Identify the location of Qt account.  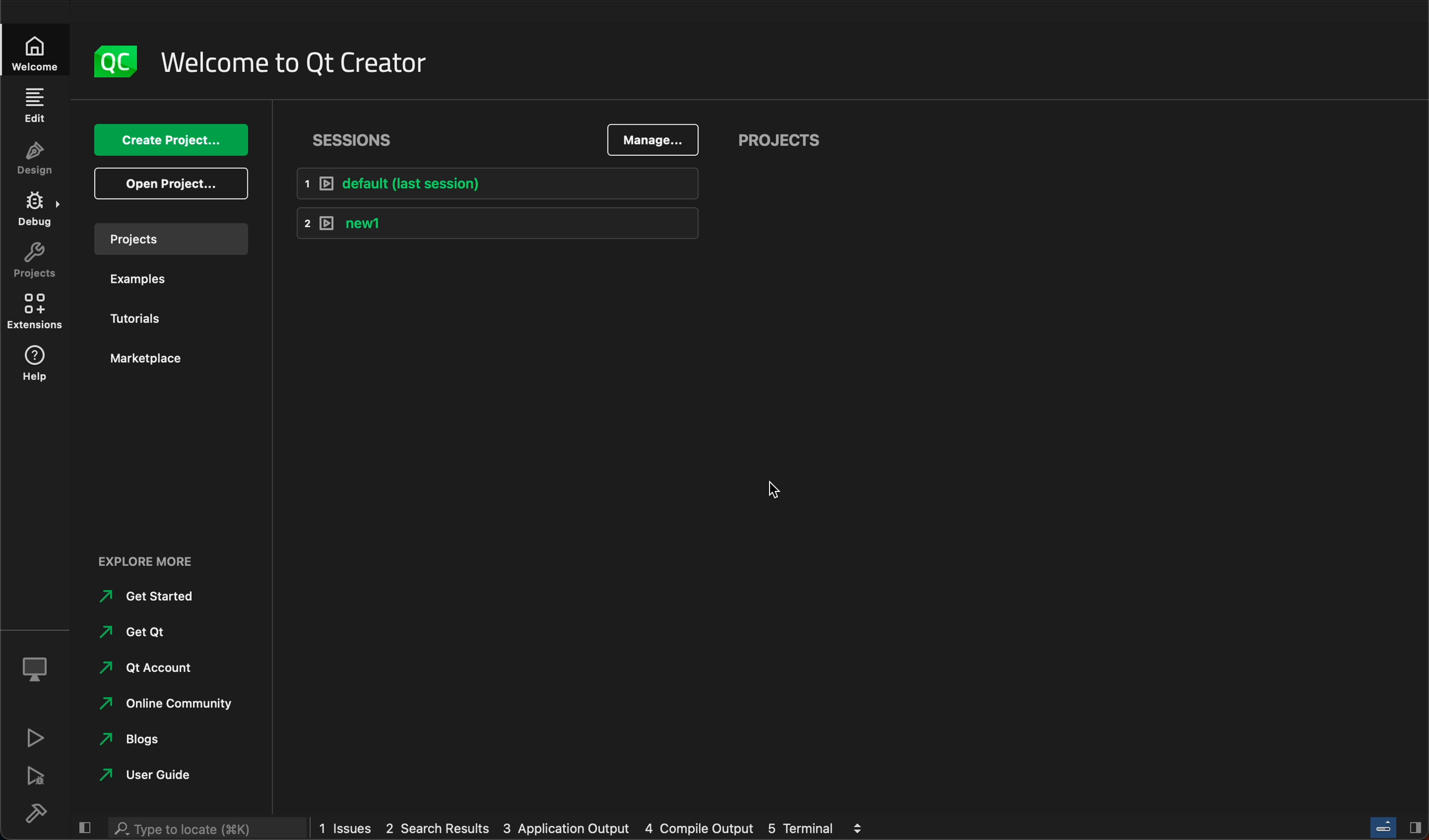
(158, 665).